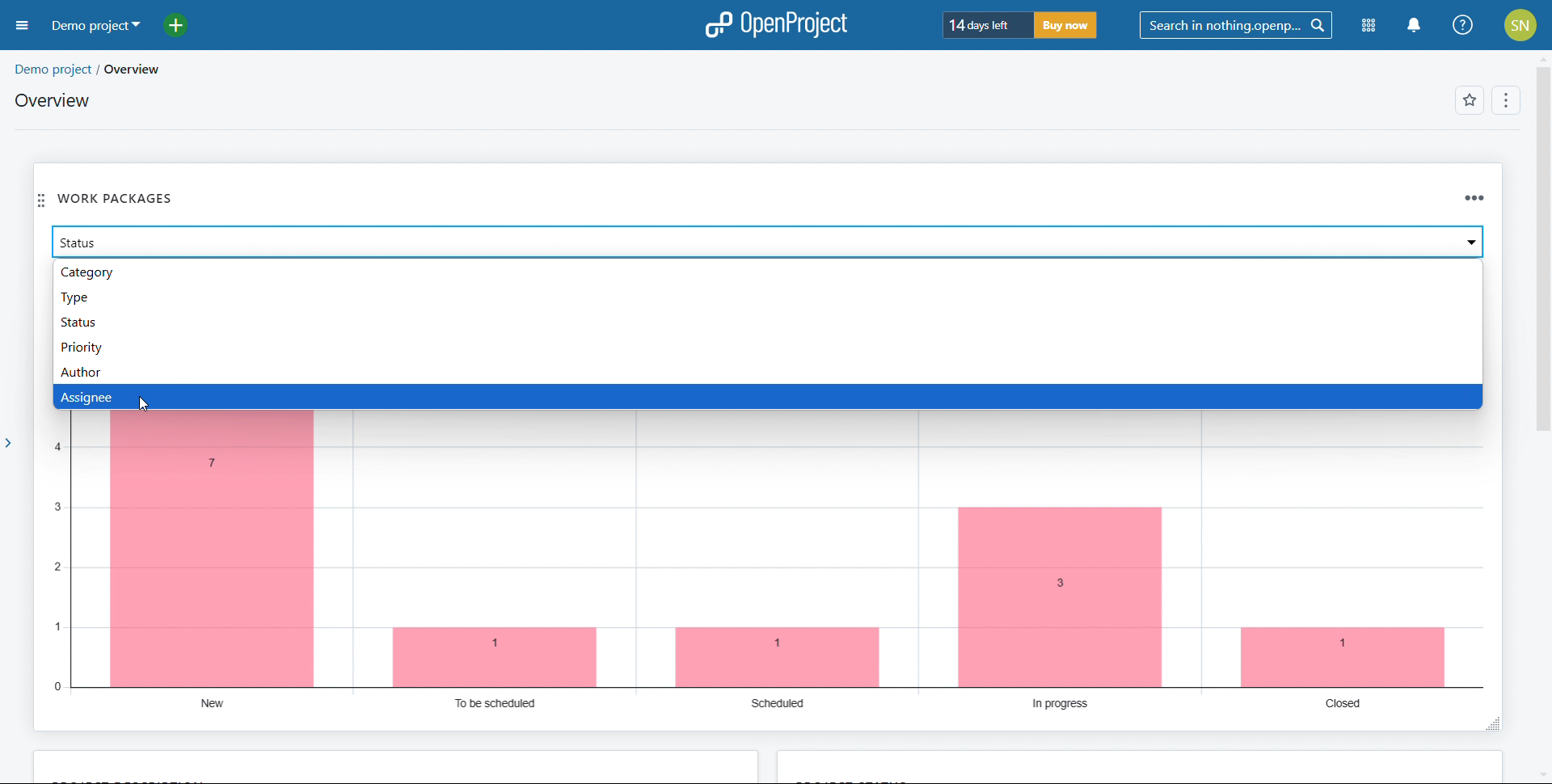  Describe the element at coordinates (1065, 25) in the screenshot. I see `buy now` at that location.